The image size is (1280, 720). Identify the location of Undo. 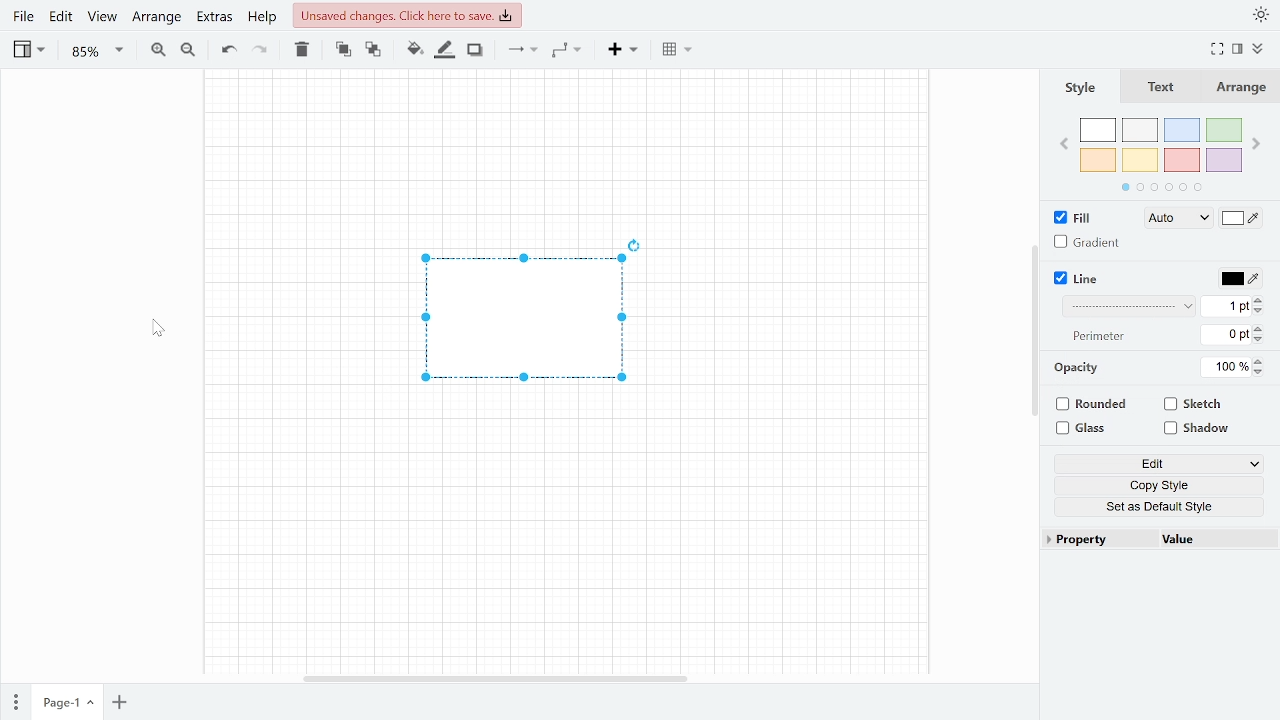
(226, 50).